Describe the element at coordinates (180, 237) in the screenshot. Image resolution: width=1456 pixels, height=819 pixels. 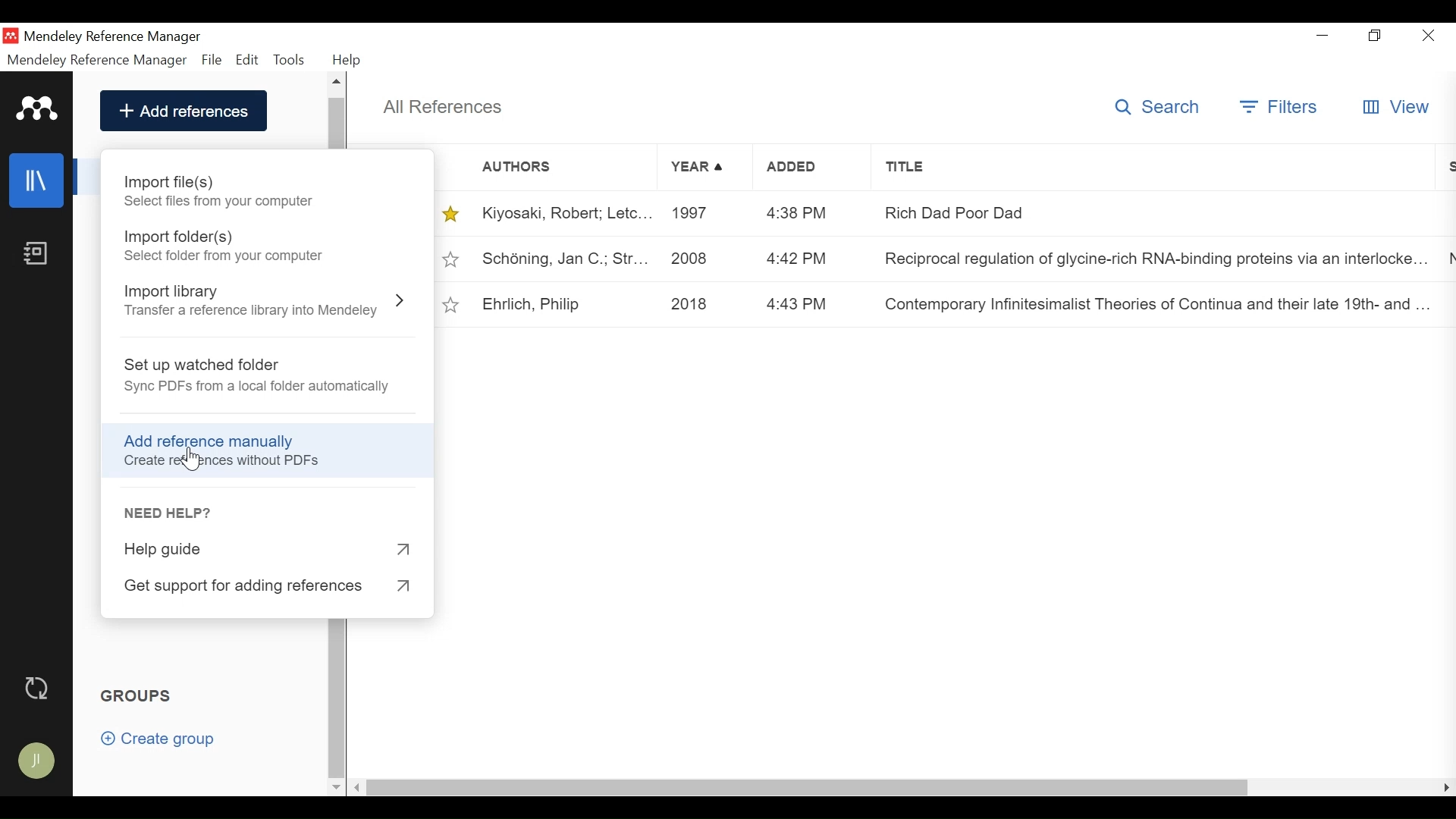
I see `Import Folder` at that location.